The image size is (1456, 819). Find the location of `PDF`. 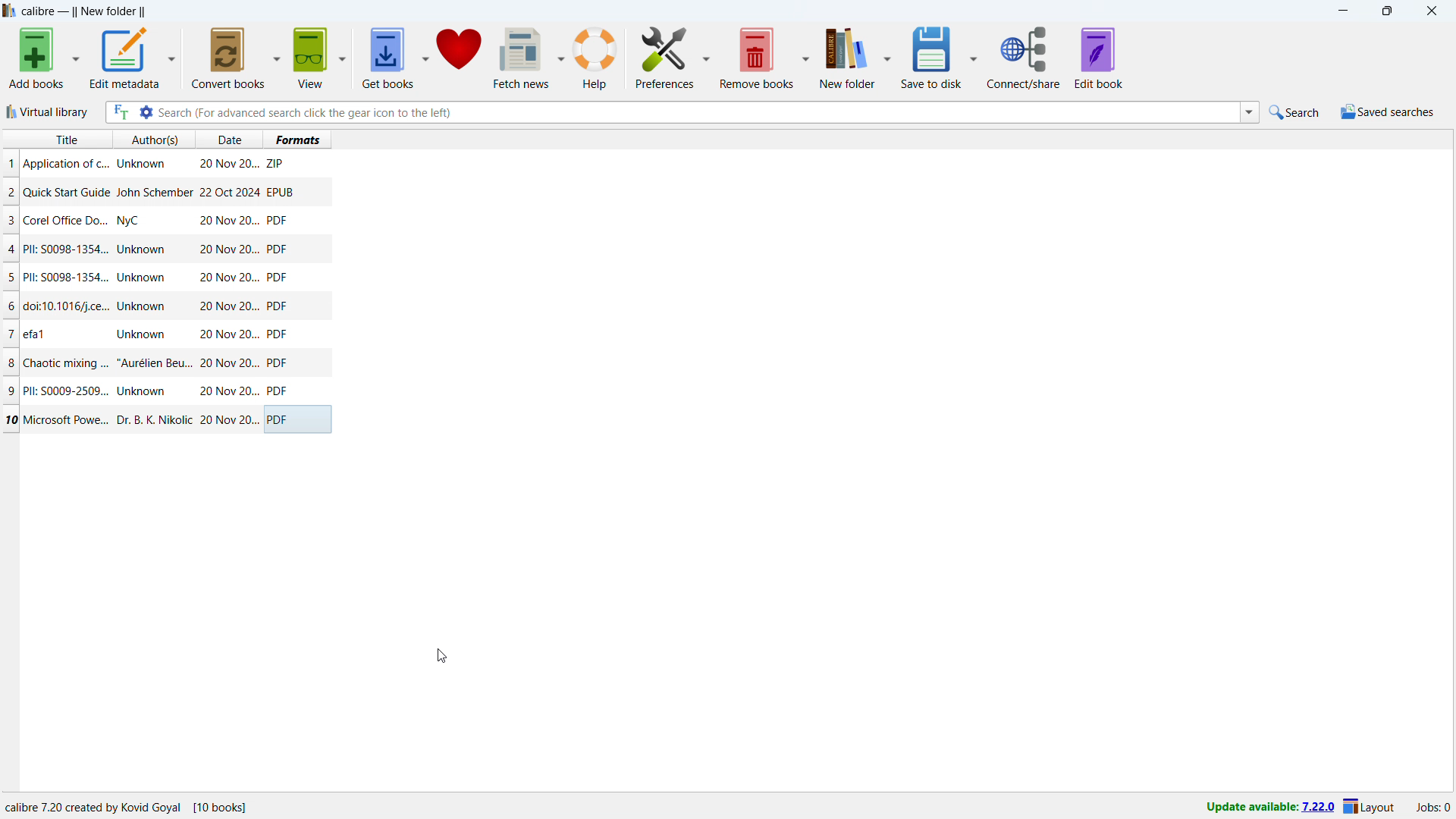

PDF is located at coordinates (276, 250).